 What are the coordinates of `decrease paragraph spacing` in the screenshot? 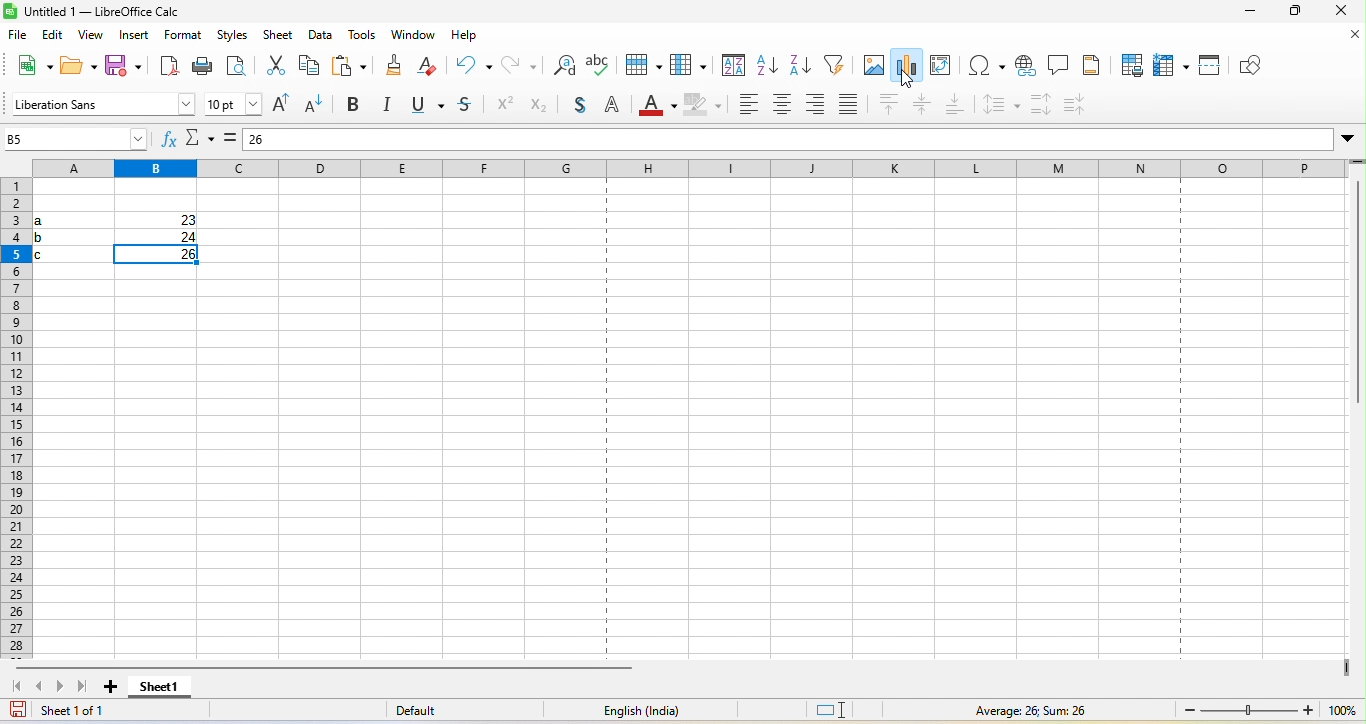 It's located at (1077, 103).